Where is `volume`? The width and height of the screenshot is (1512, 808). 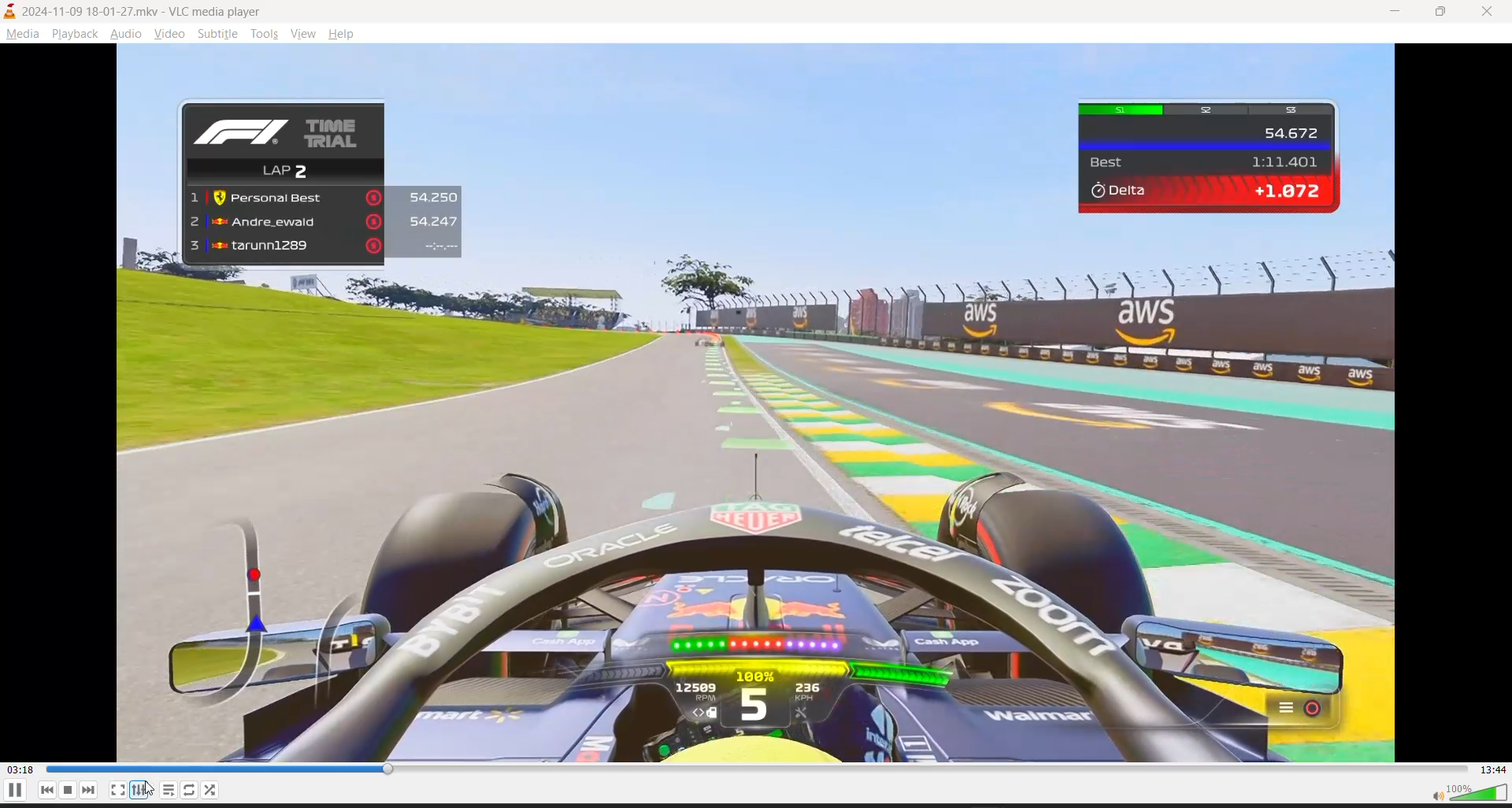 volume is located at coordinates (1469, 793).